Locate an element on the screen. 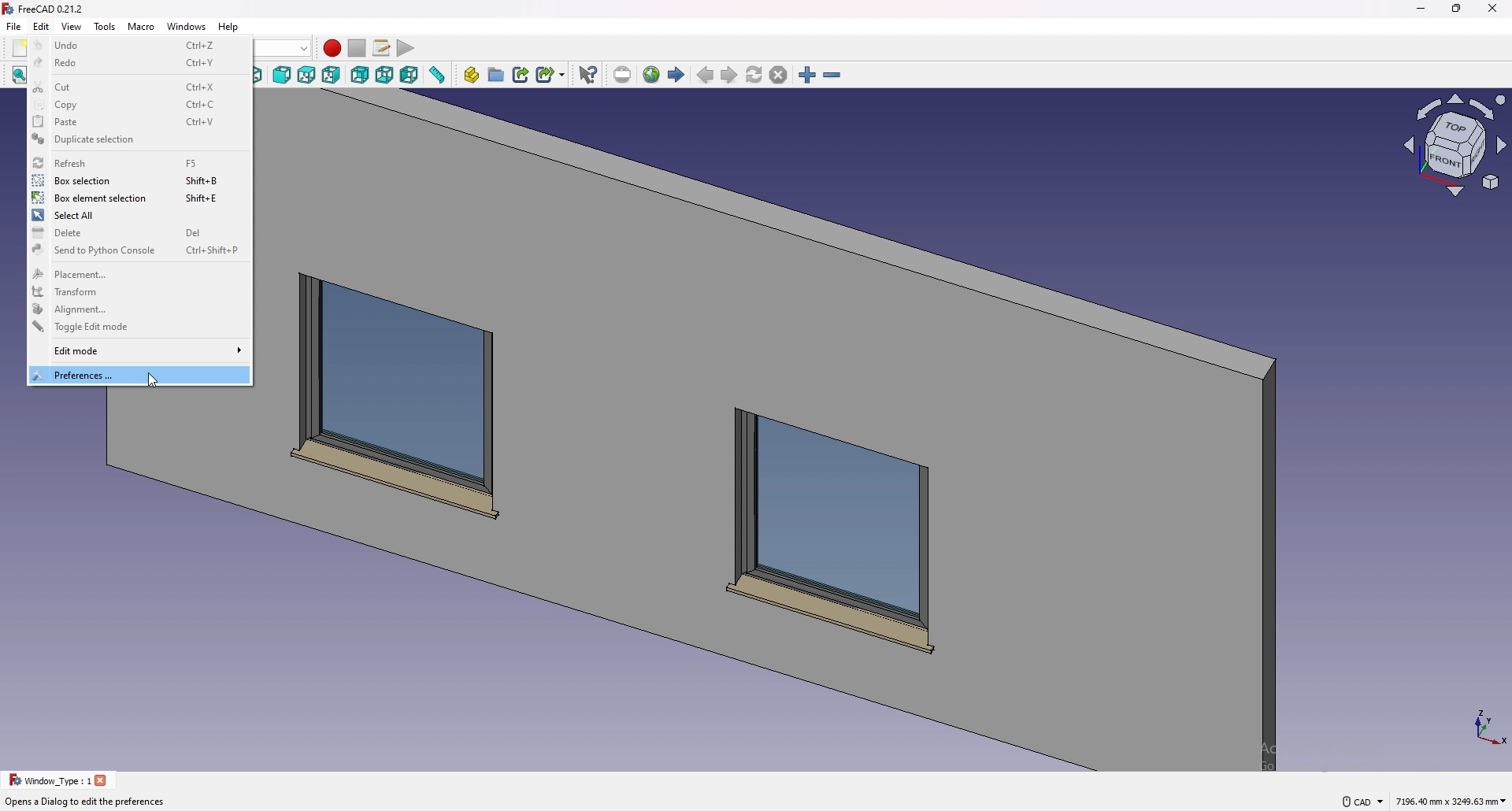 The height and width of the screenshot is (811, 1512). delete   Del is located at coordinates (135, 232).